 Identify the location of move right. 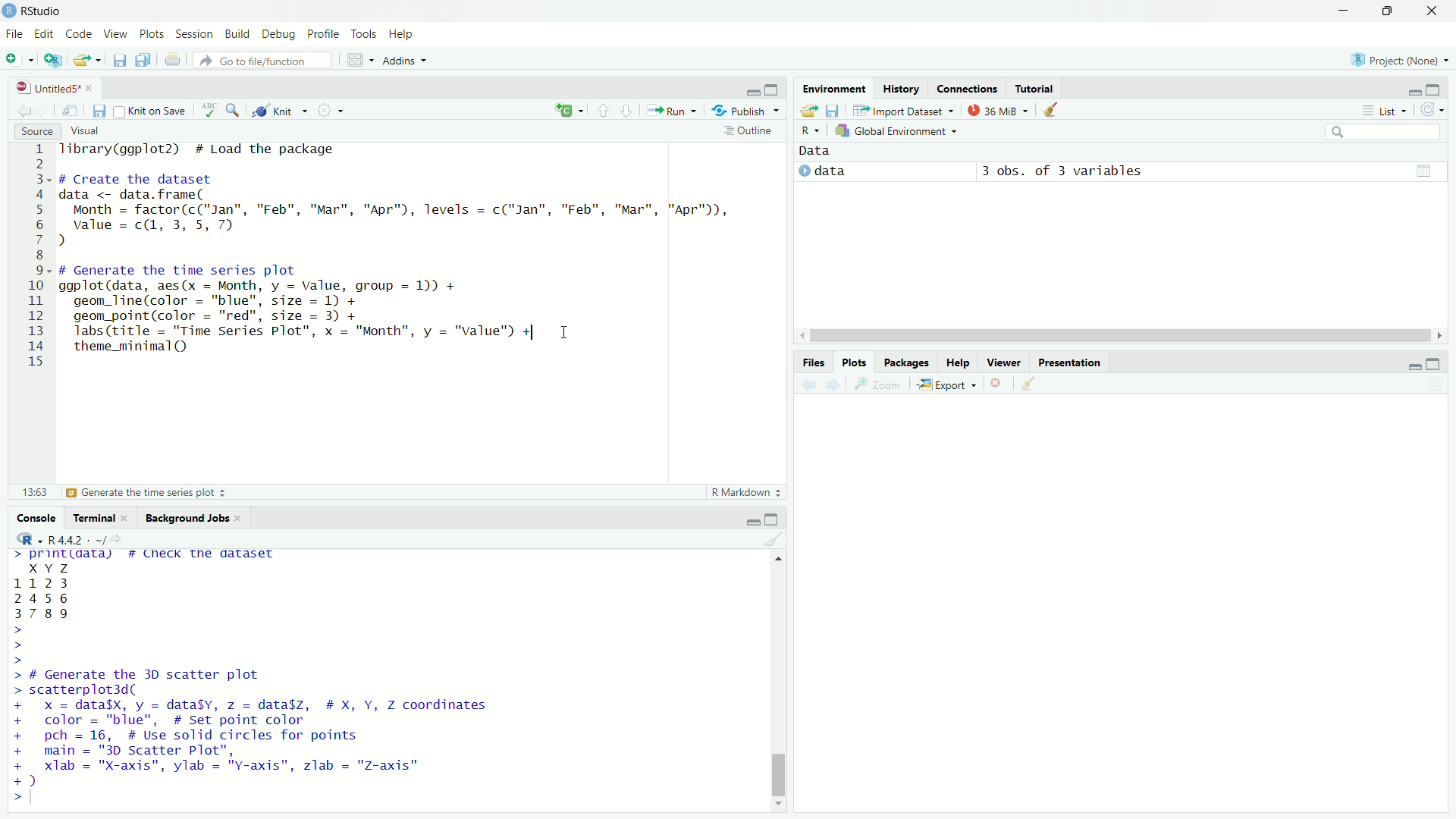
(1438, 334).